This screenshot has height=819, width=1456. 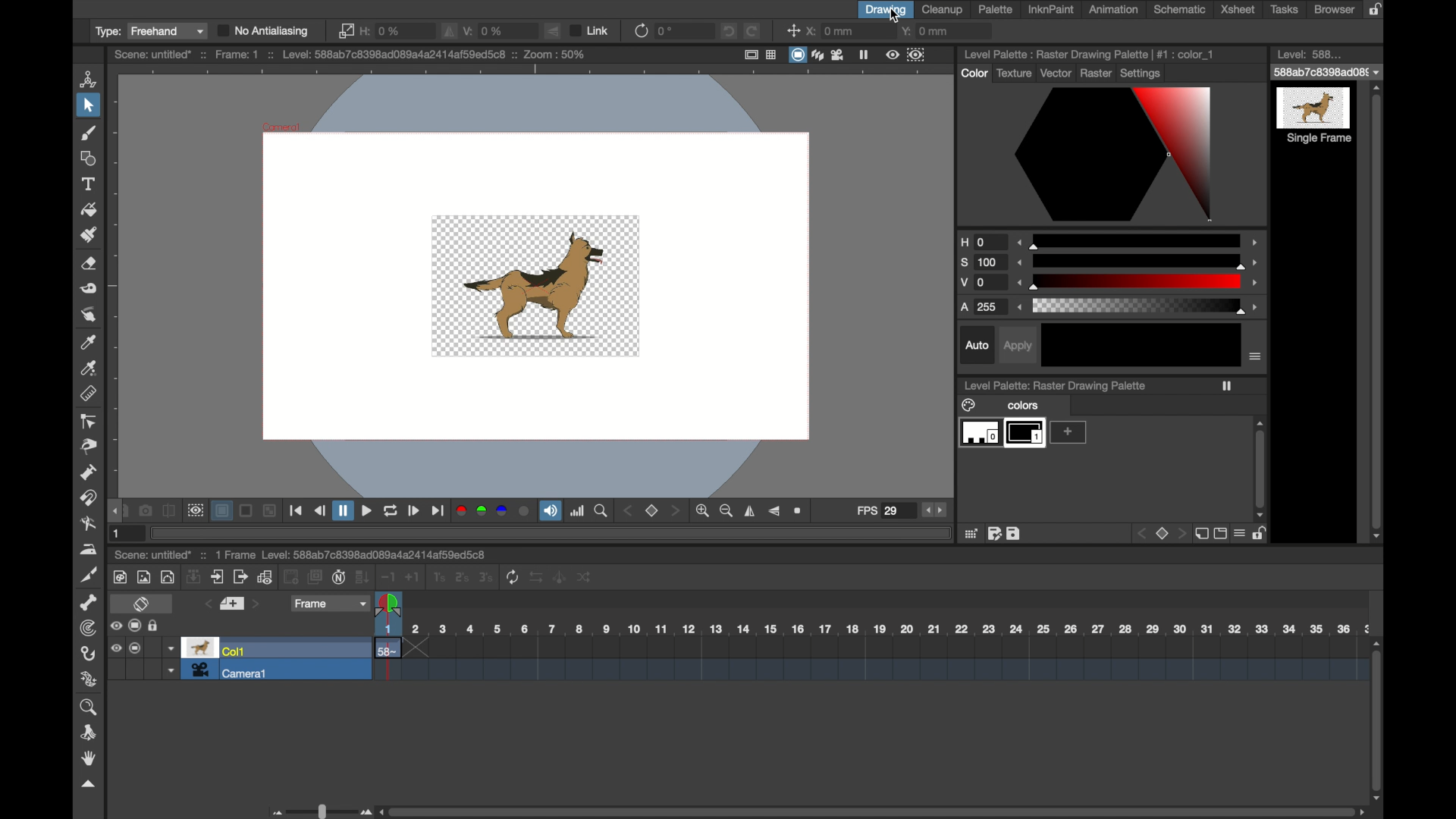 What do you see at coordinates (985, 309) in the screenshot?
I see `A` at bounding box center [985, 309].